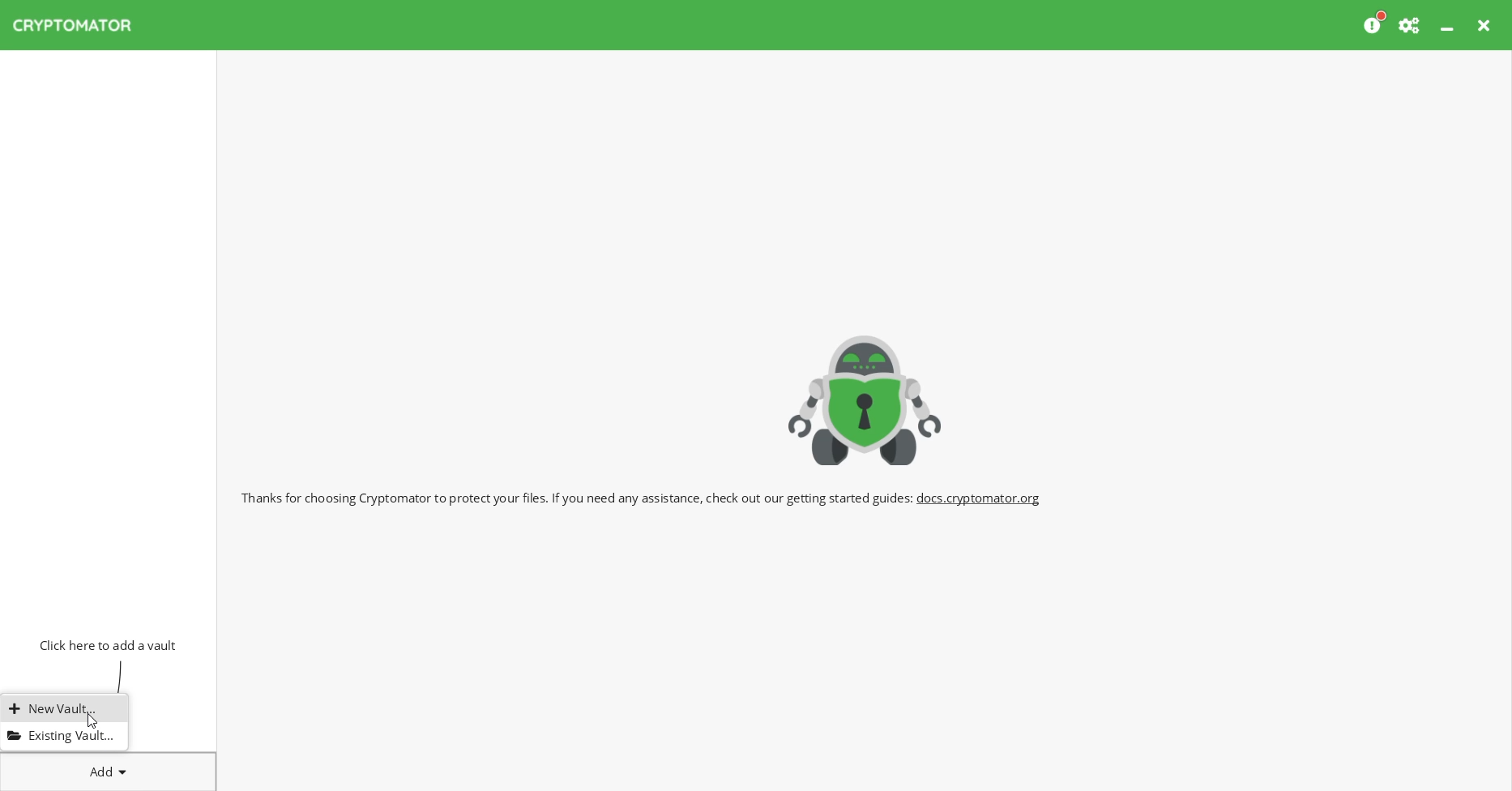  What do you see at coordinates (62, 709) in the screenshot?
I see `New Vault` at bounding box center [62, 709].